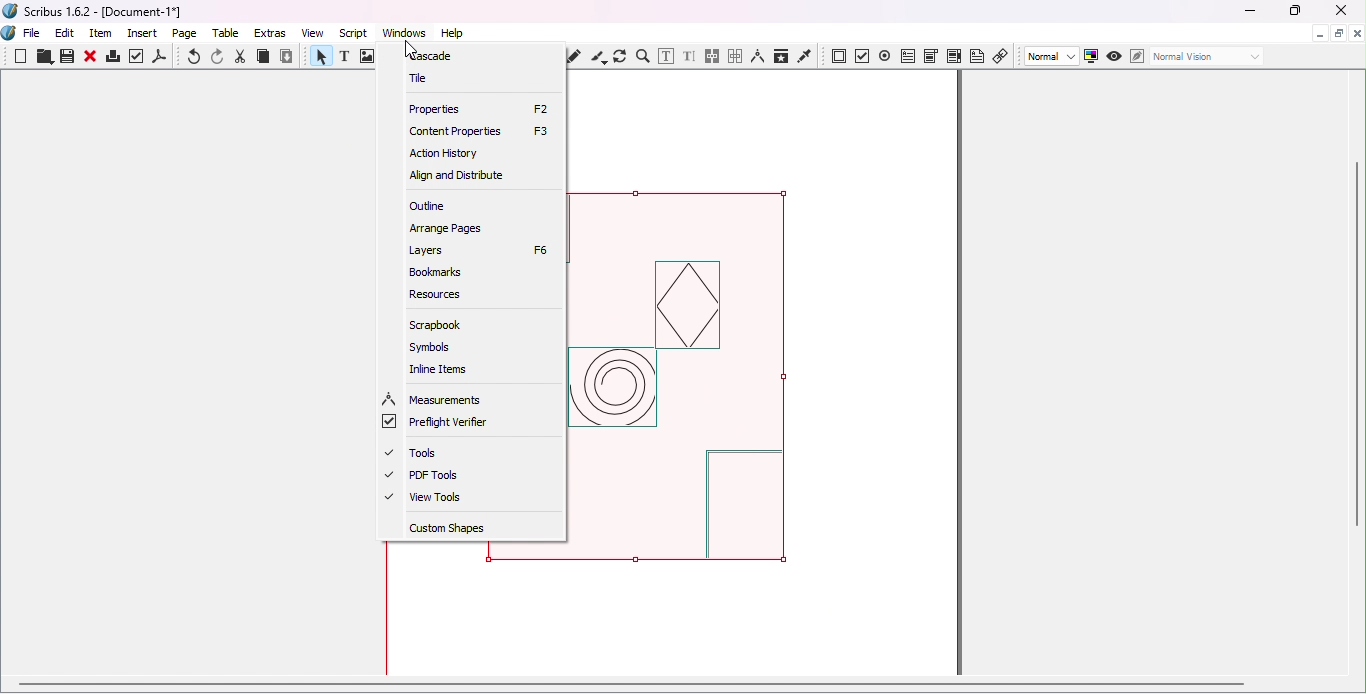 This screenshot has height=694, width=1366. Describe the element at coordinates (161, 59) in the screenshot. I see `save as PDF` at that location.